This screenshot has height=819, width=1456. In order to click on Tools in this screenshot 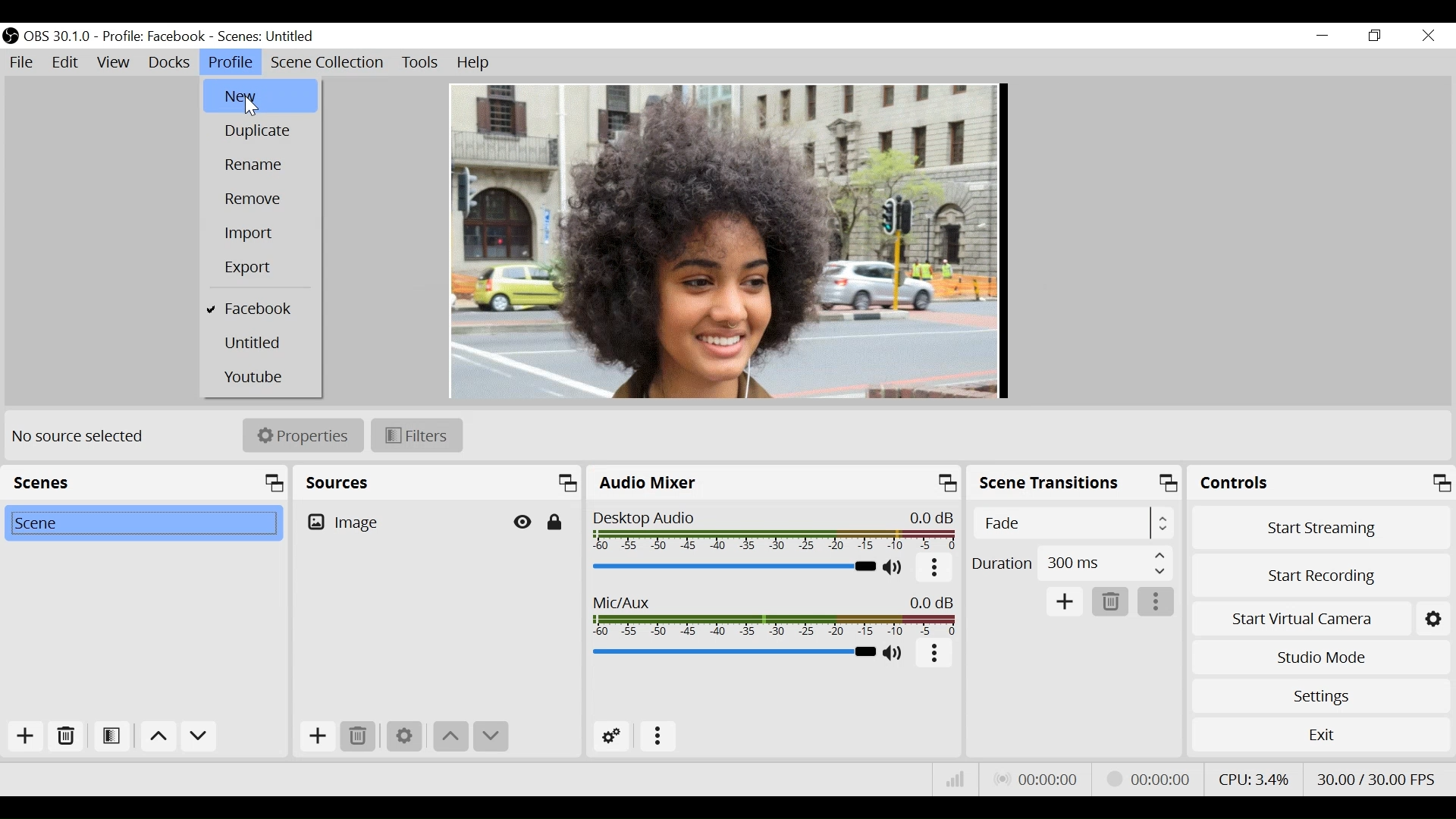, I will do `click(420, 64)`.